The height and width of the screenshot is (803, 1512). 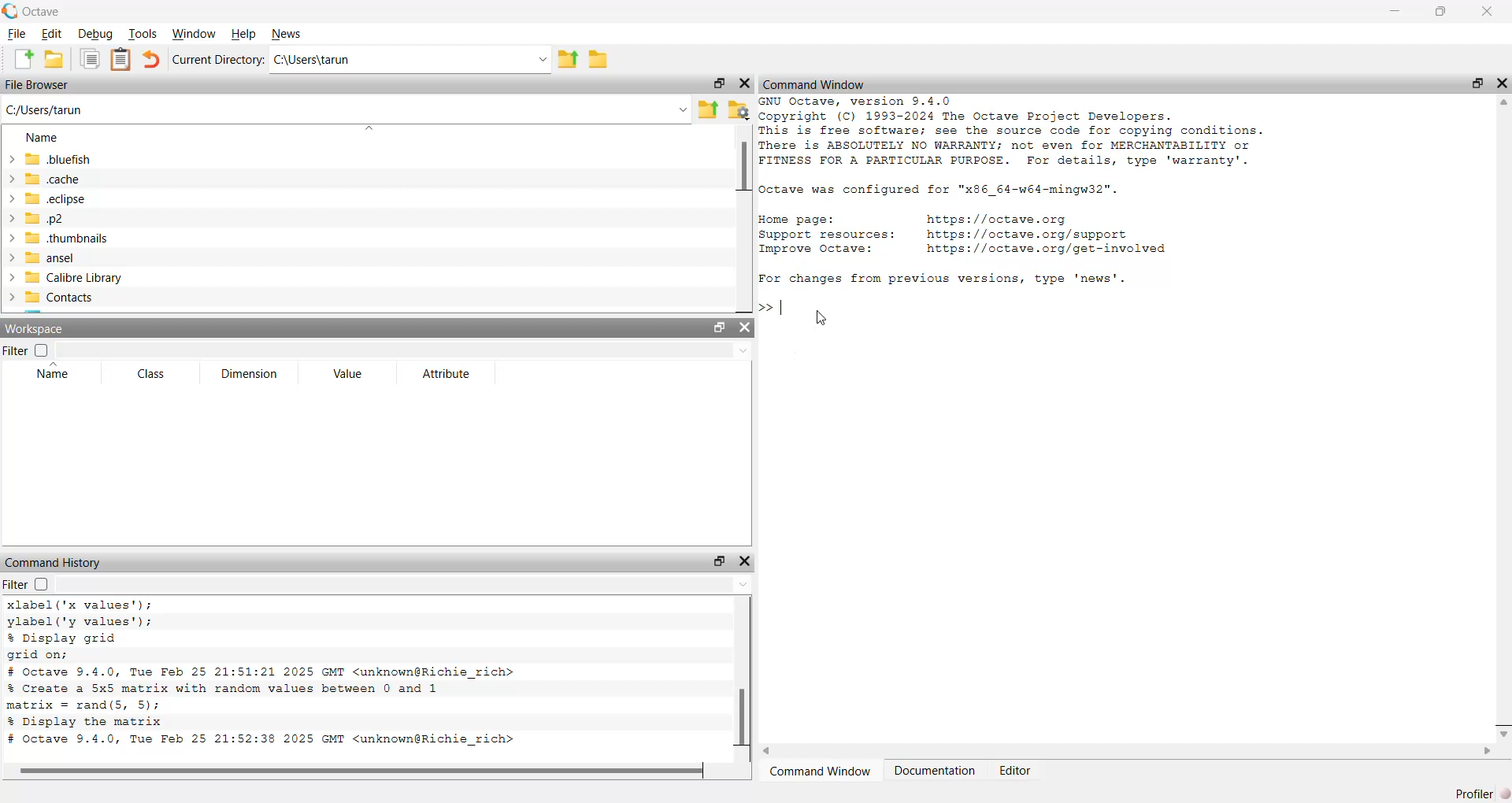 I want to click on Dimension, so click(x=246, y=372).